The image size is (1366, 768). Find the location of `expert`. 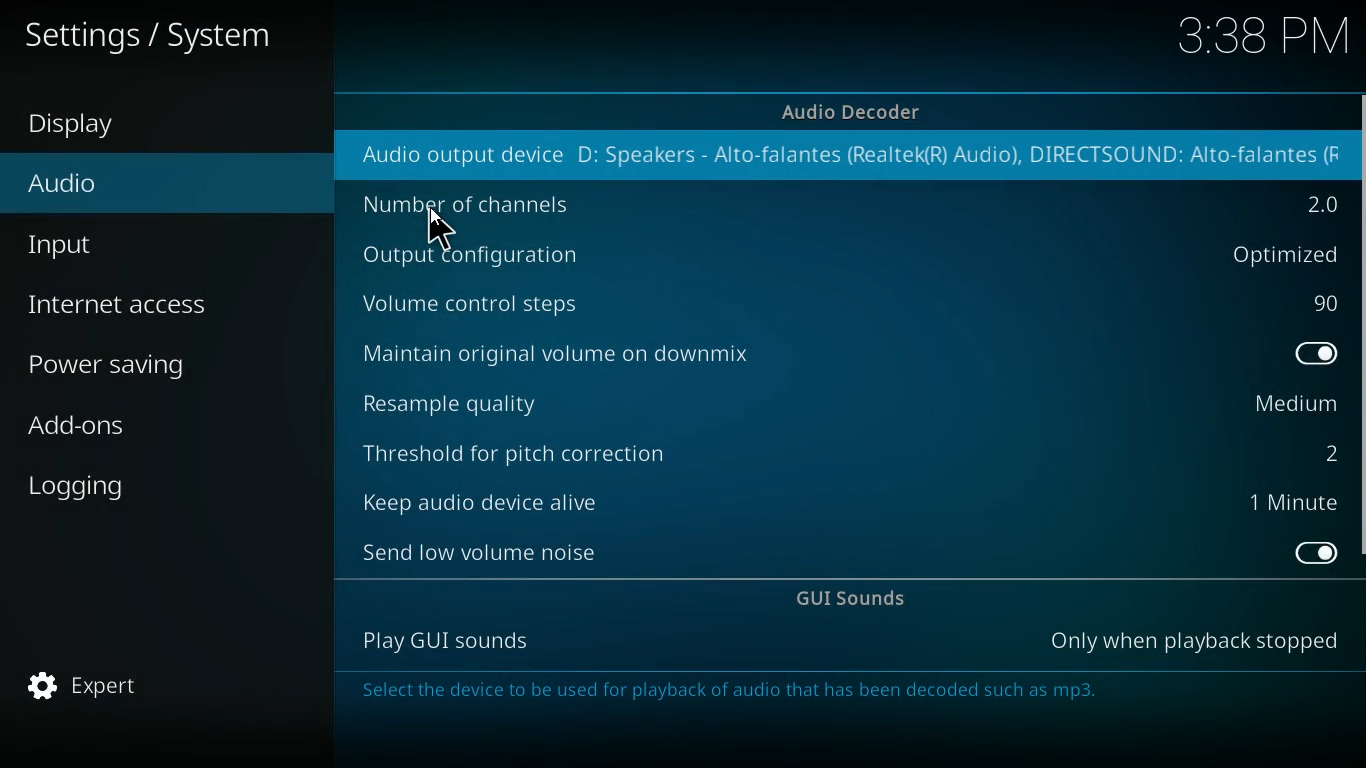

expert is located at coordinates (114, 687).